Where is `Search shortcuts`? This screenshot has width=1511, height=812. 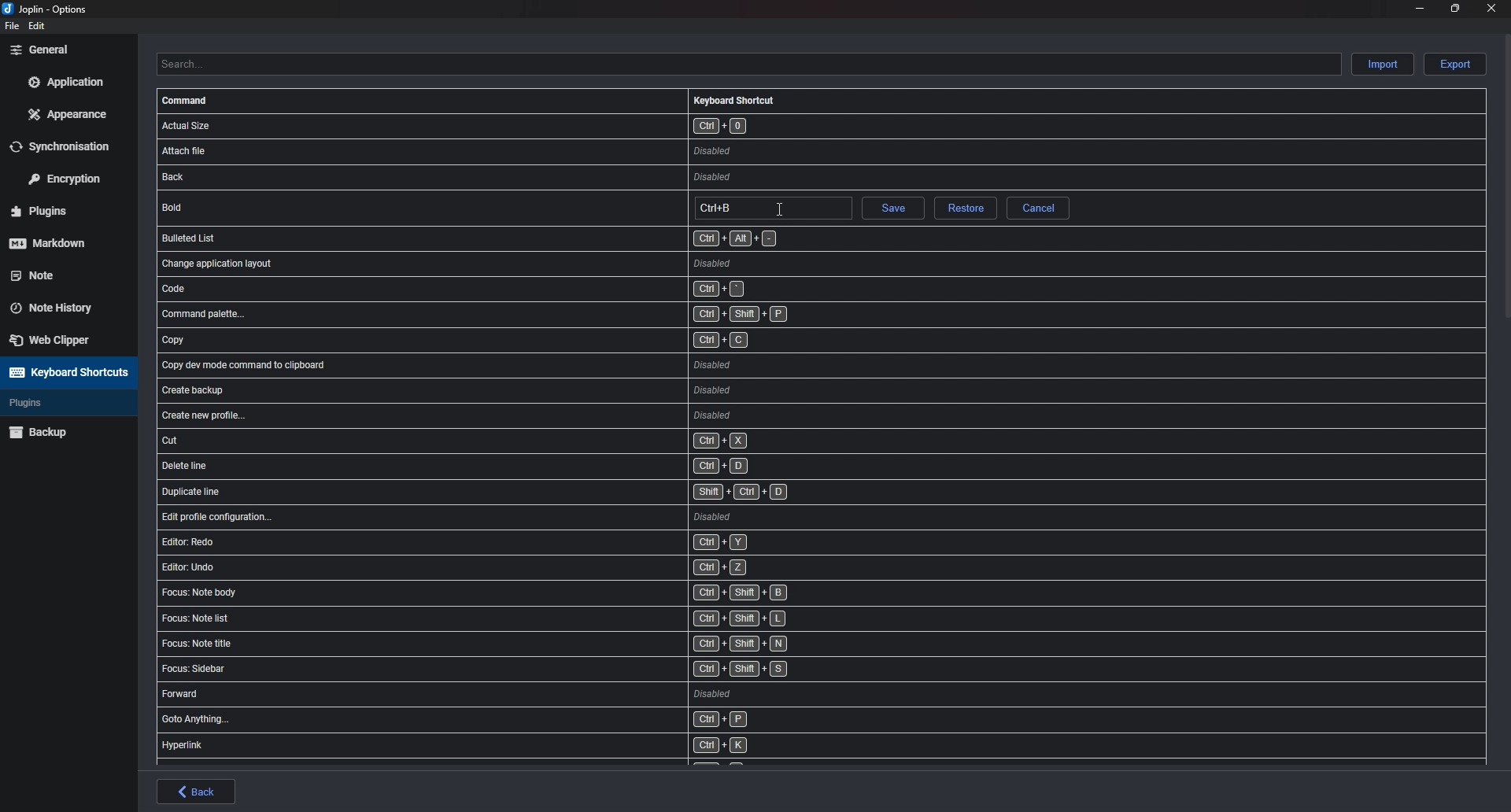 Search shortcuts is located at coordinates (748, 64).